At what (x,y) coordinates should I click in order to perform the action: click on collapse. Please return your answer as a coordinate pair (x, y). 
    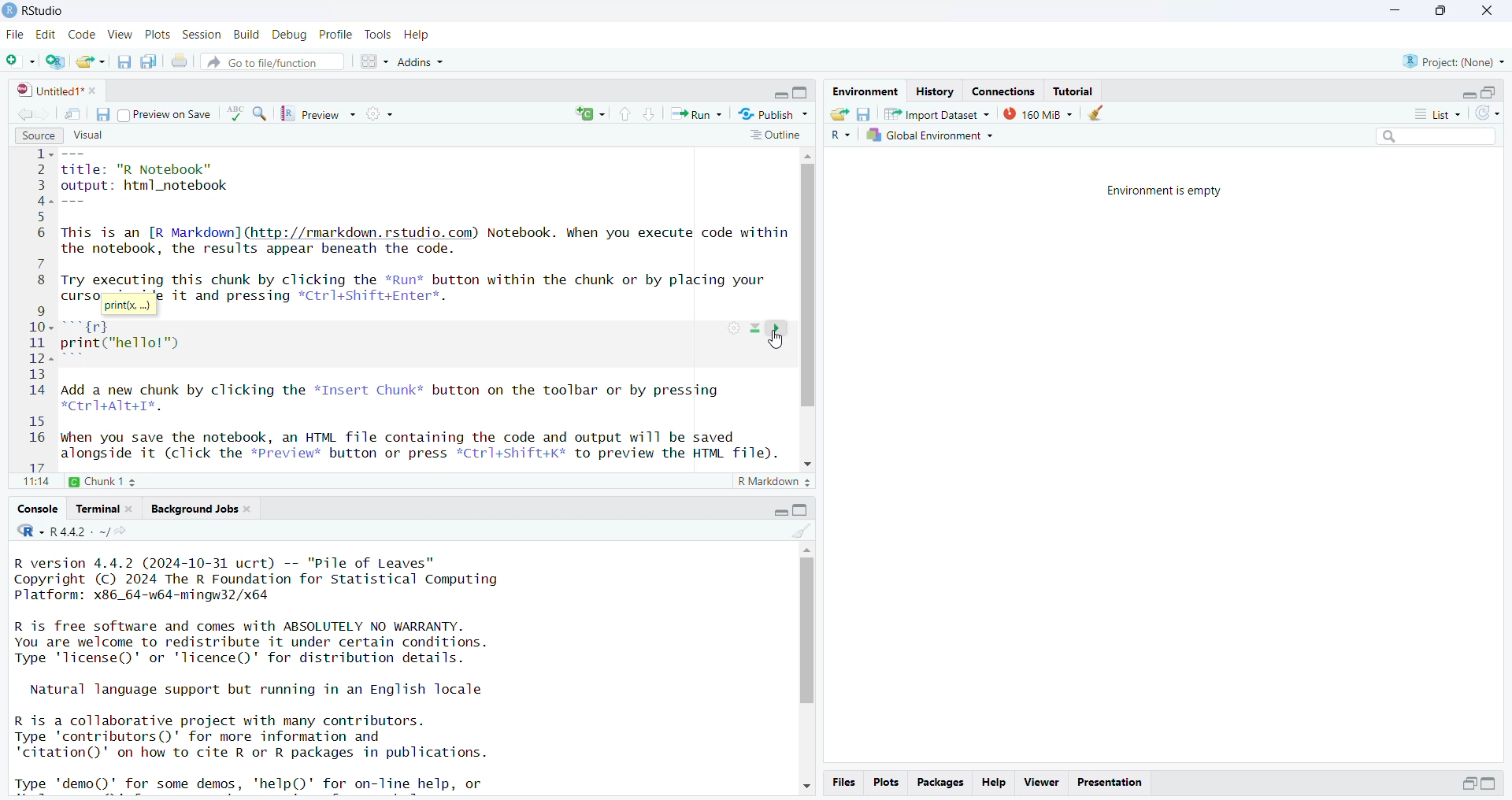
    Looking at the image, I should click on (802, 94).